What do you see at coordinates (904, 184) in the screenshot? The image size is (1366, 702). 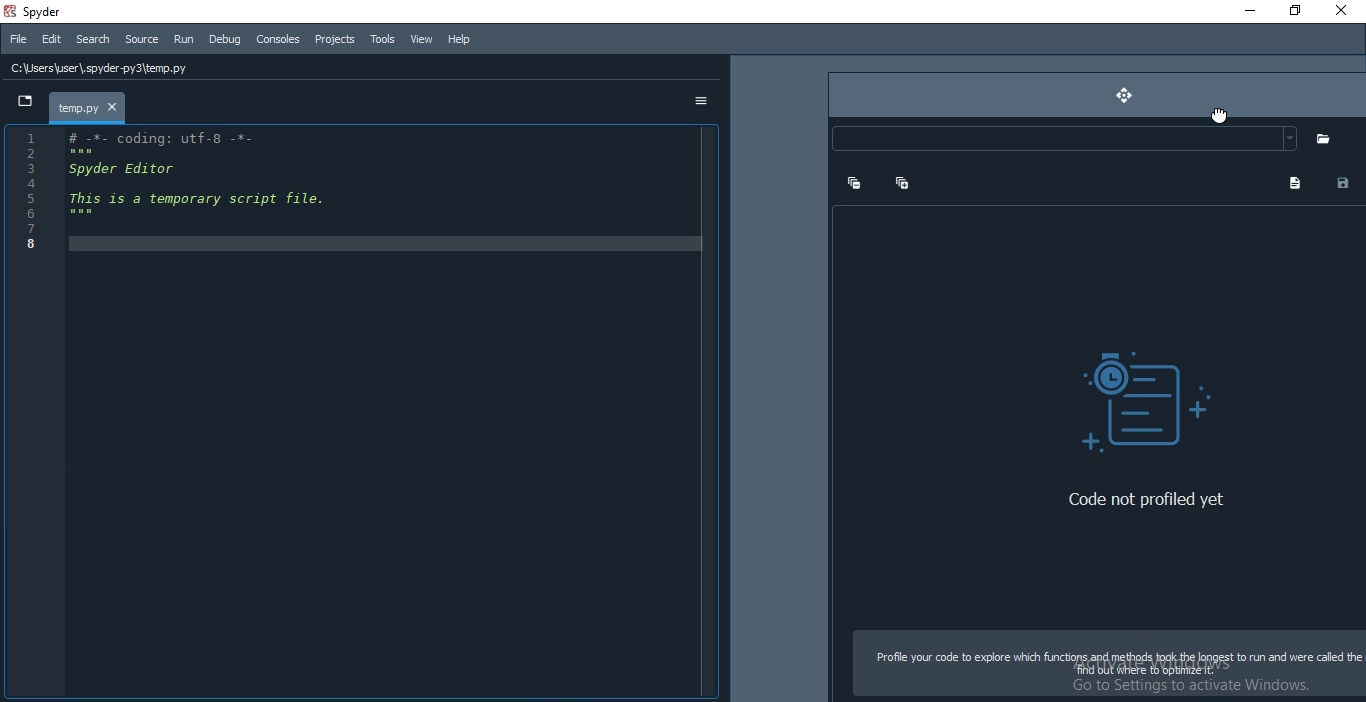 I see `add tab` at bounding box center [904, 184].